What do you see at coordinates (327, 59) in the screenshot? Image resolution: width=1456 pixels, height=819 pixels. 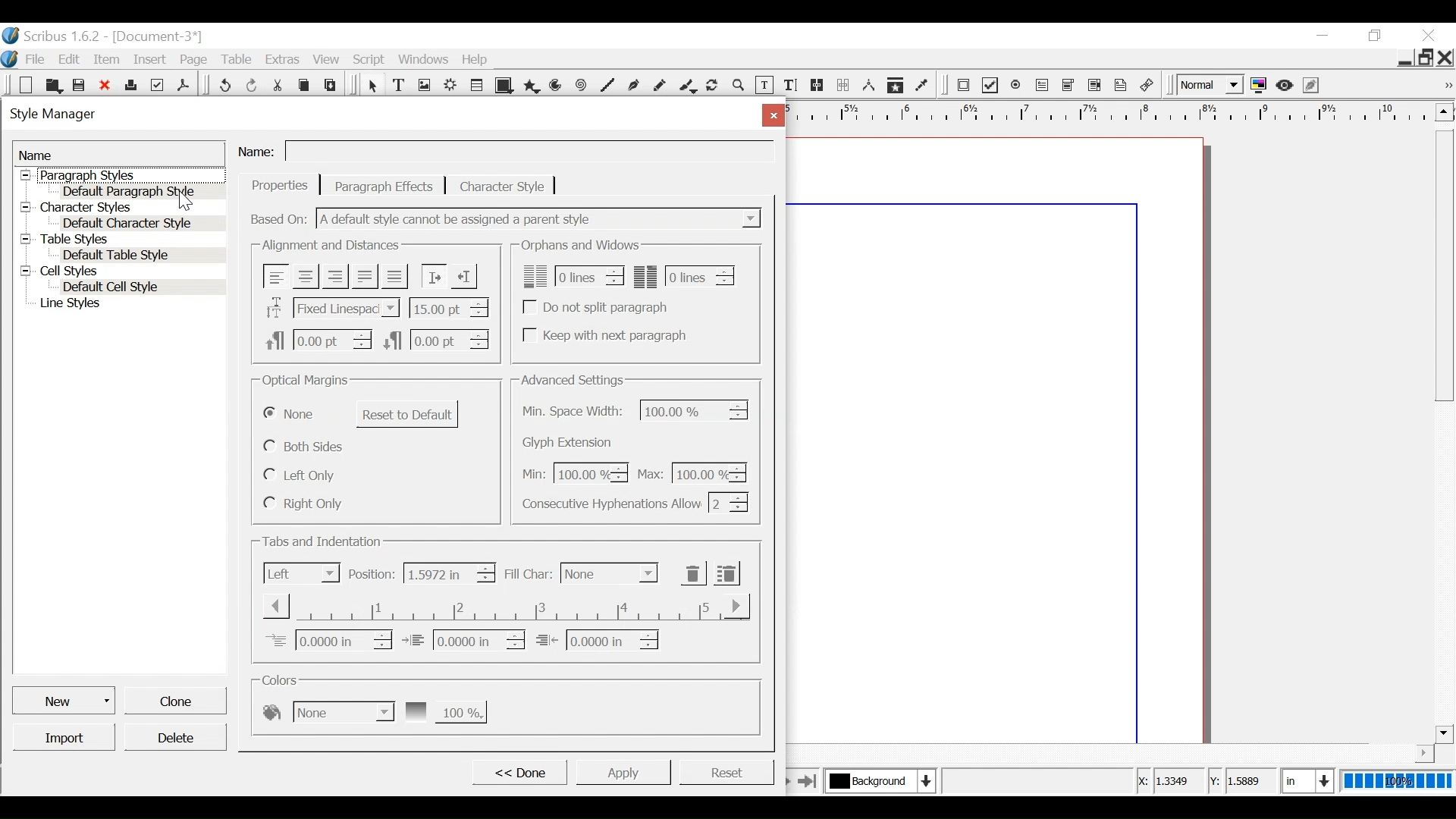 I see `View` at bounding box center [327, 59].